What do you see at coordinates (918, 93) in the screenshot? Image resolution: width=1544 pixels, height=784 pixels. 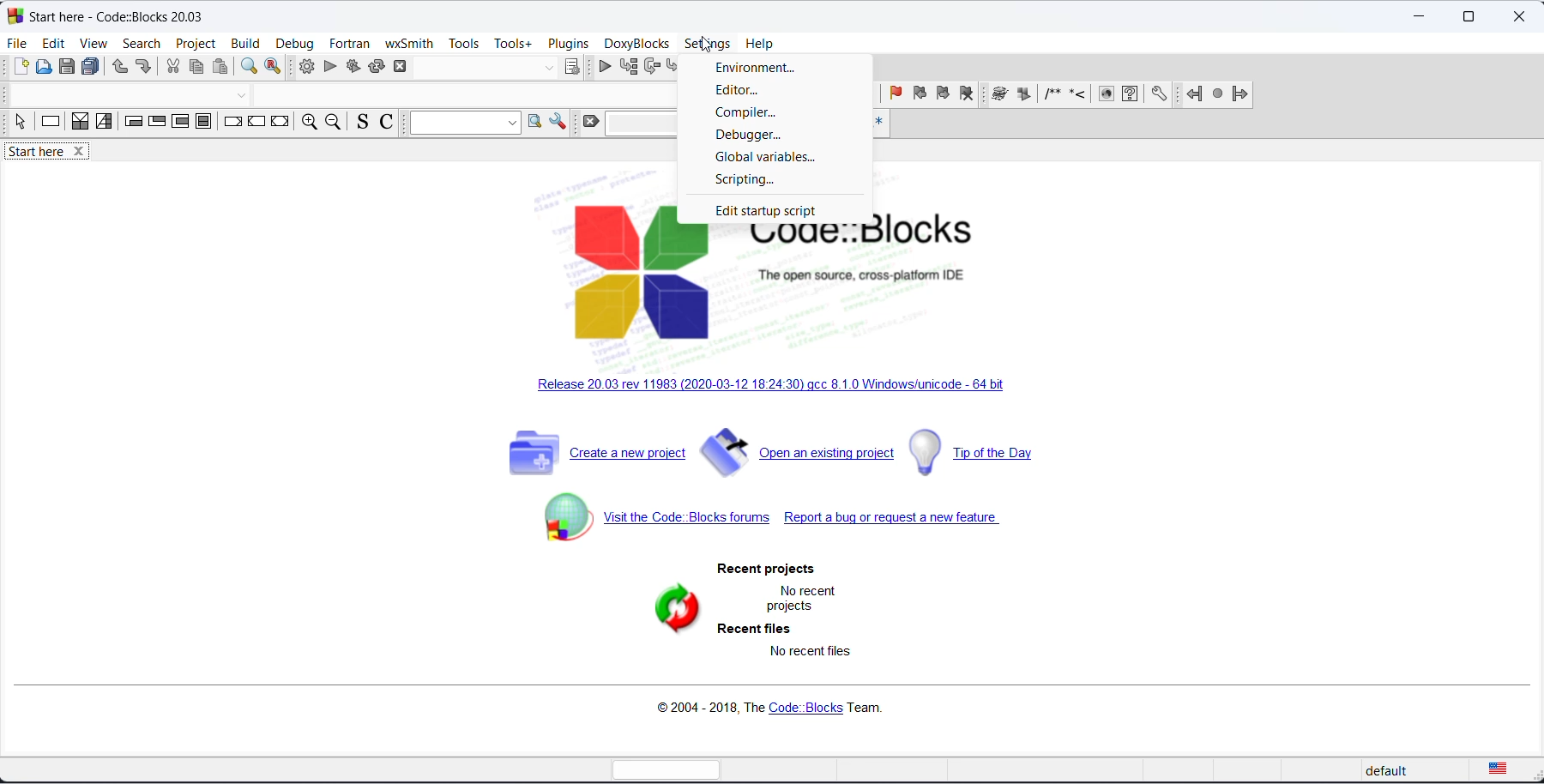 I see `prev bookmark` at bounding box center [918, 93].